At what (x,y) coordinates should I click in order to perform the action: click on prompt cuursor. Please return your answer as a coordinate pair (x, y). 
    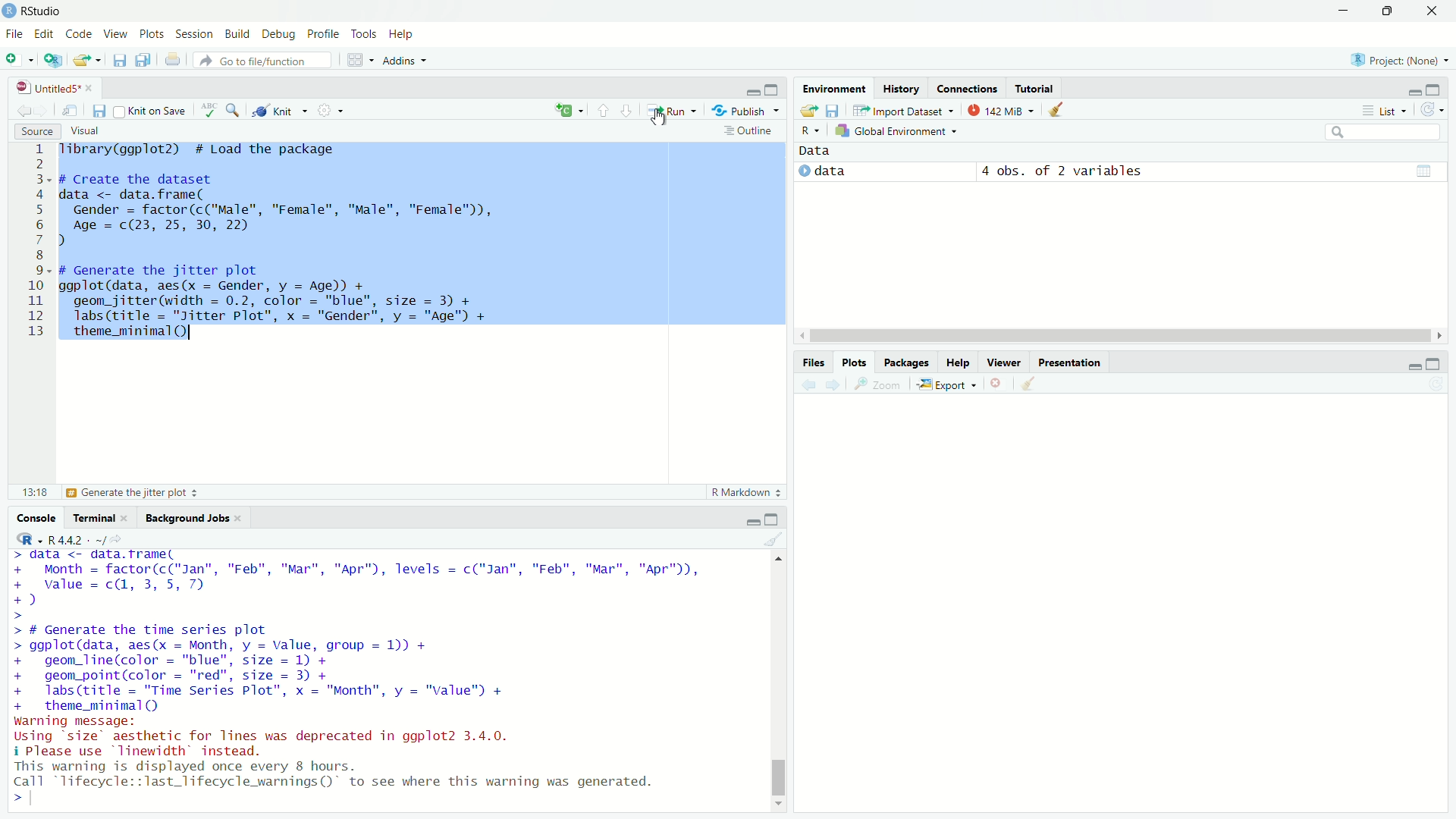
    Looking at the image, I should click on (15, 616).